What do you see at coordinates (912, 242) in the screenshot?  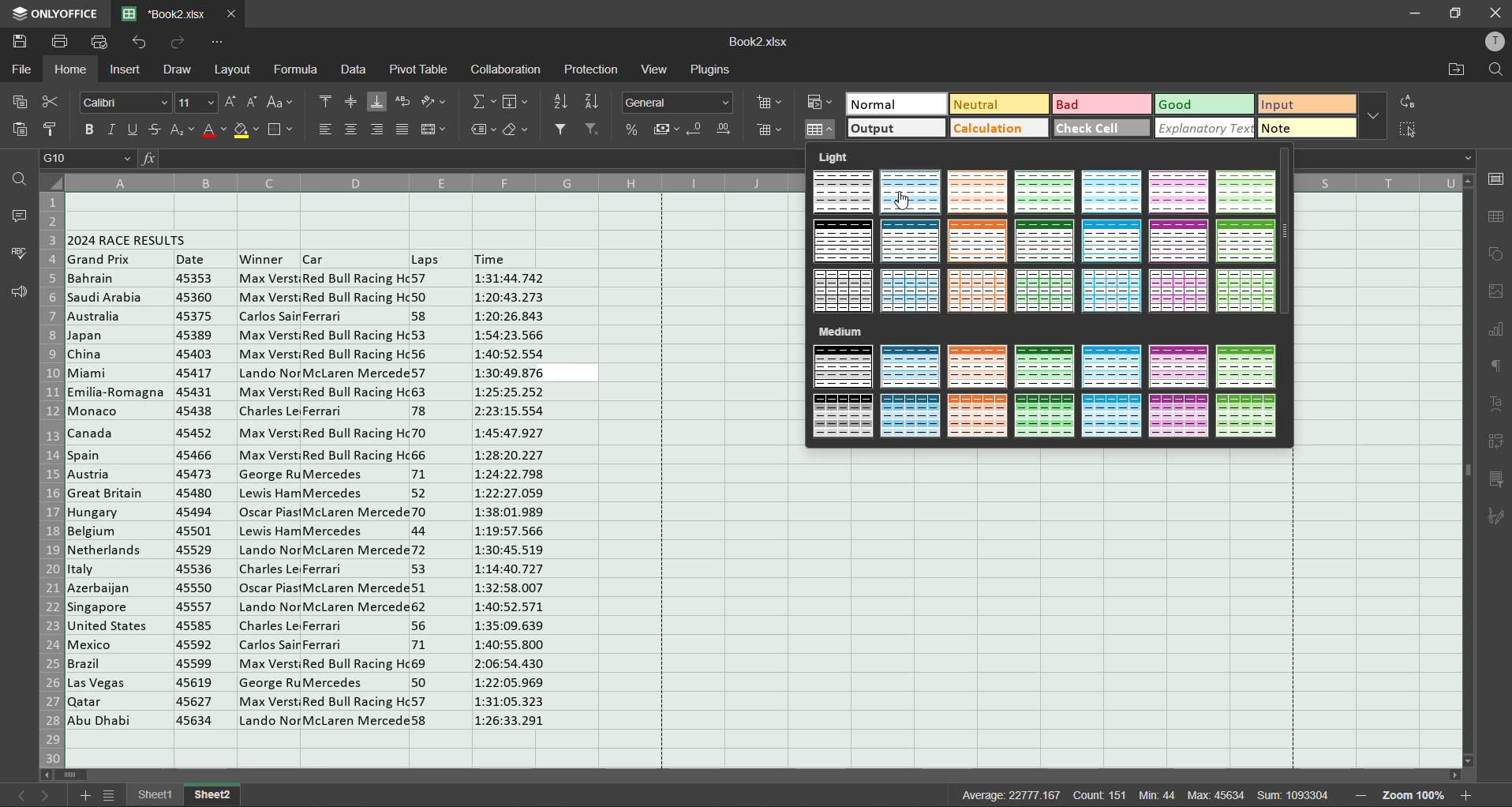 I see `table style light 9` at bounding box center [912, 242].